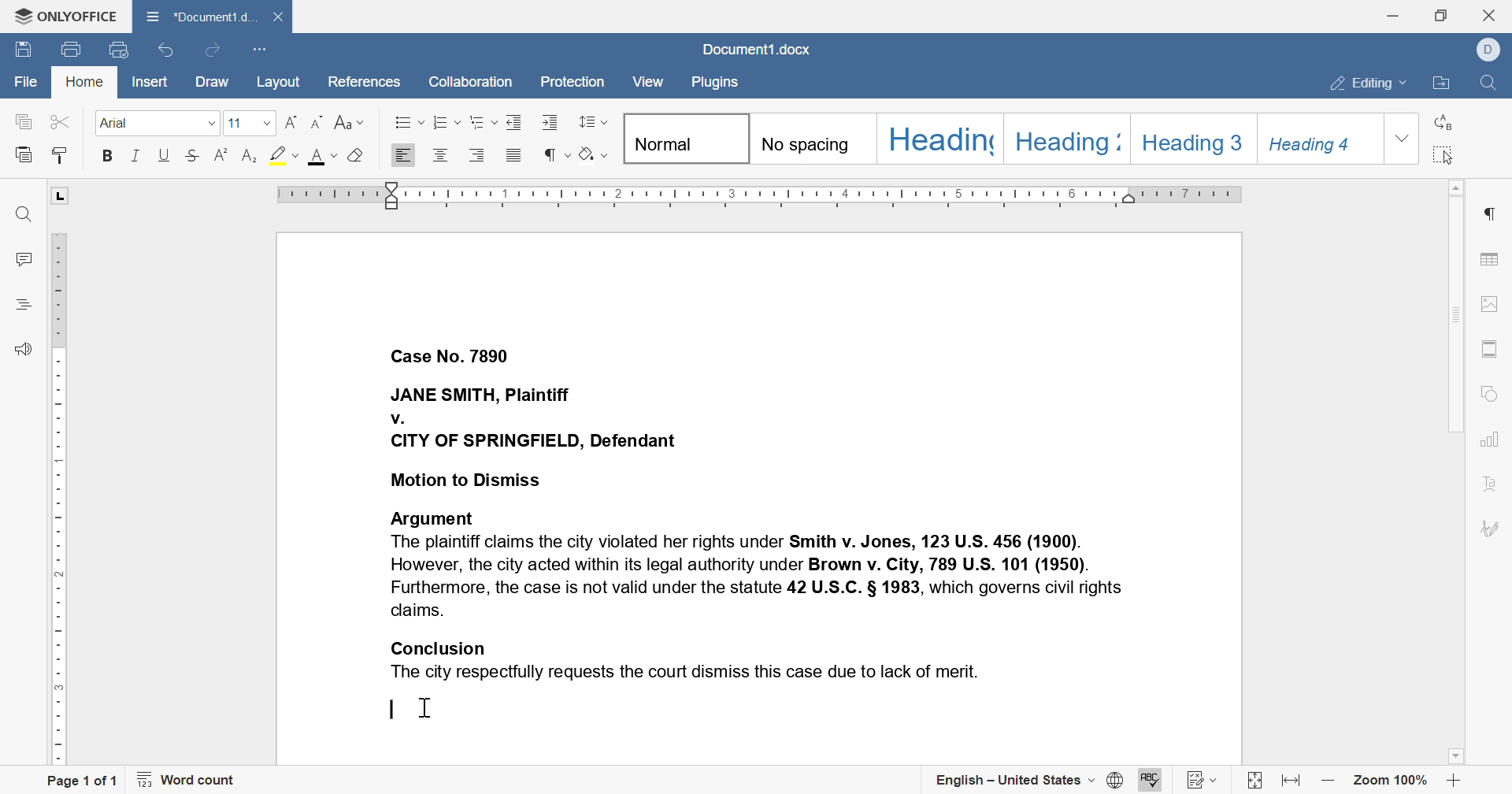 Image resolution: width=1512 pixels, height=794 pixels. What do you see at coordinates (26, 306) in the screenshot?
I see `headings` at bounding box center [26, 306].